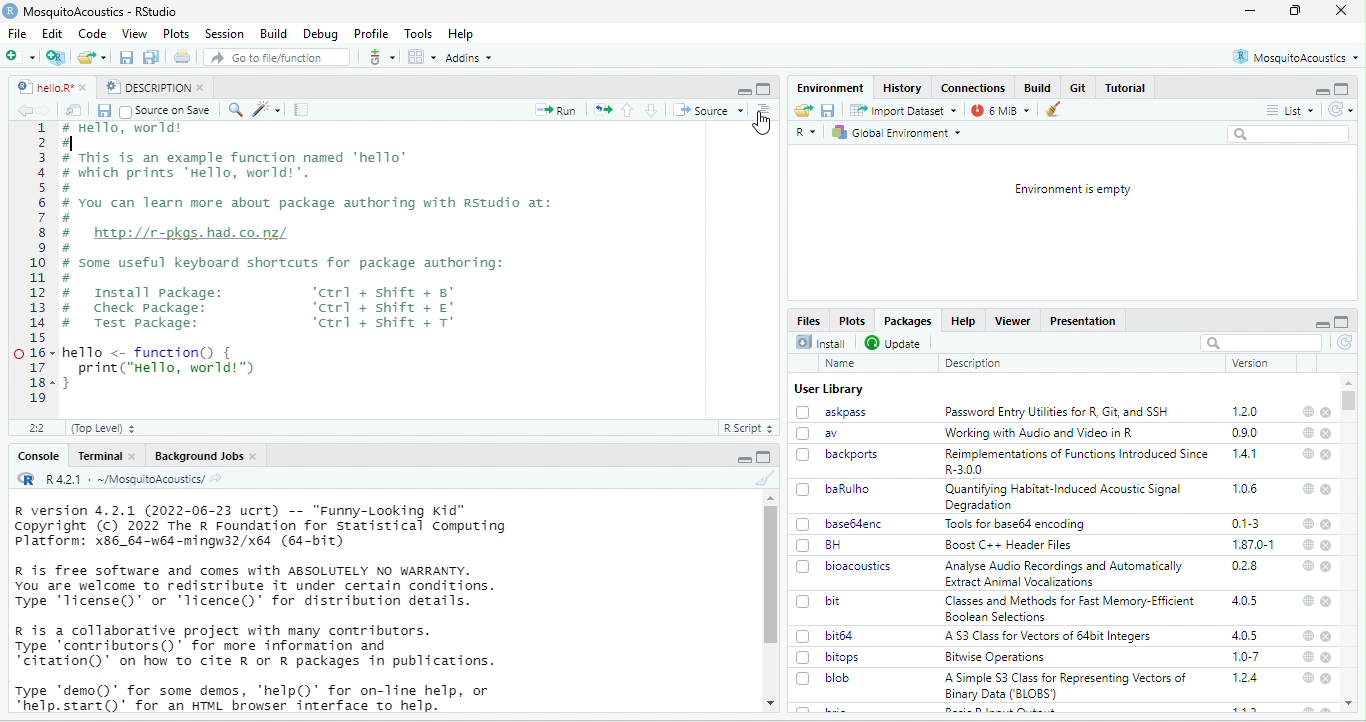 The height and width of the screenshot is (722, 1366). What do you see at coordinates (1327, 659) in the screenshot?
I see `close` at bounding box center [1327, 659].